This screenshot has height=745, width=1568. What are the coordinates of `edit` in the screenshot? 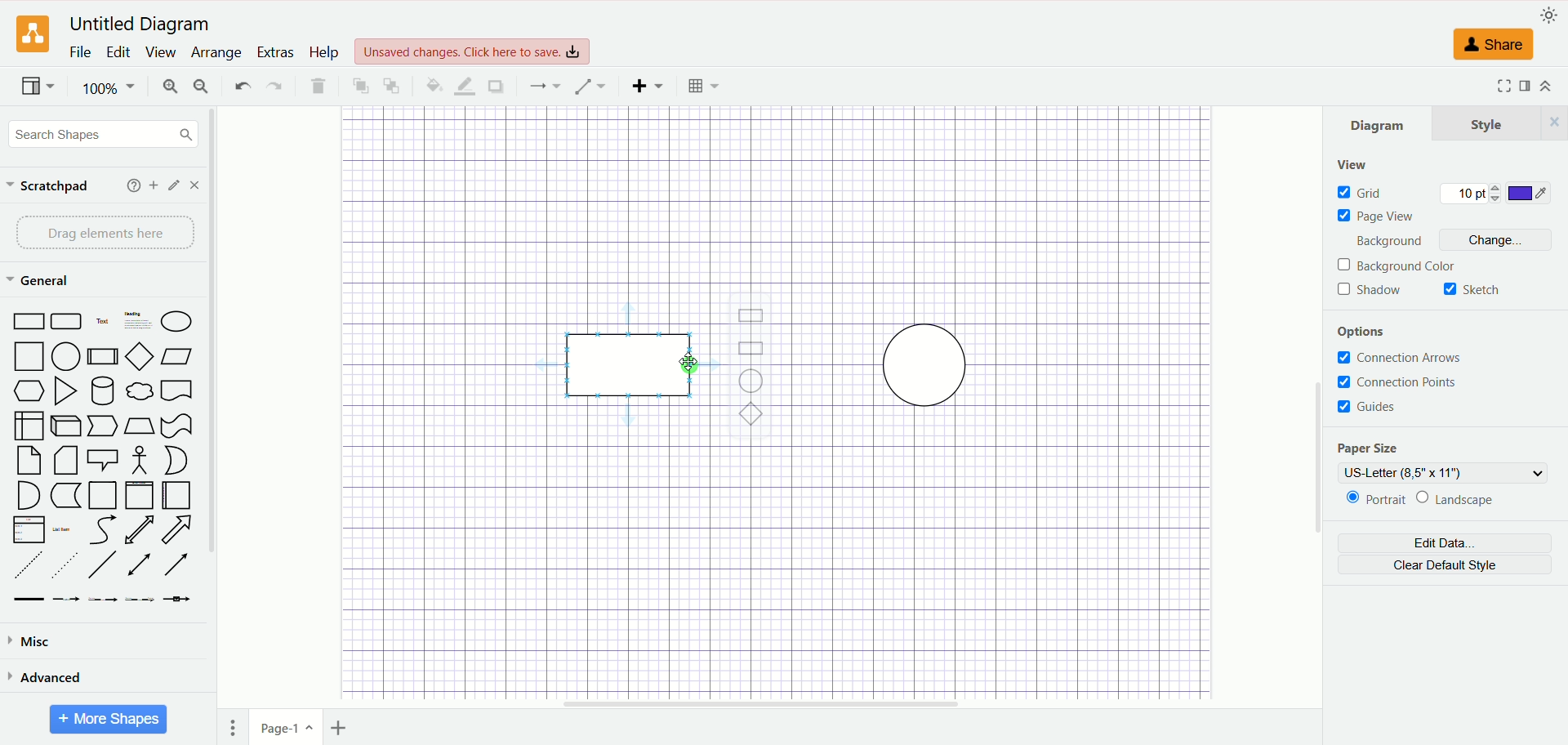 It's located at (118, 54).